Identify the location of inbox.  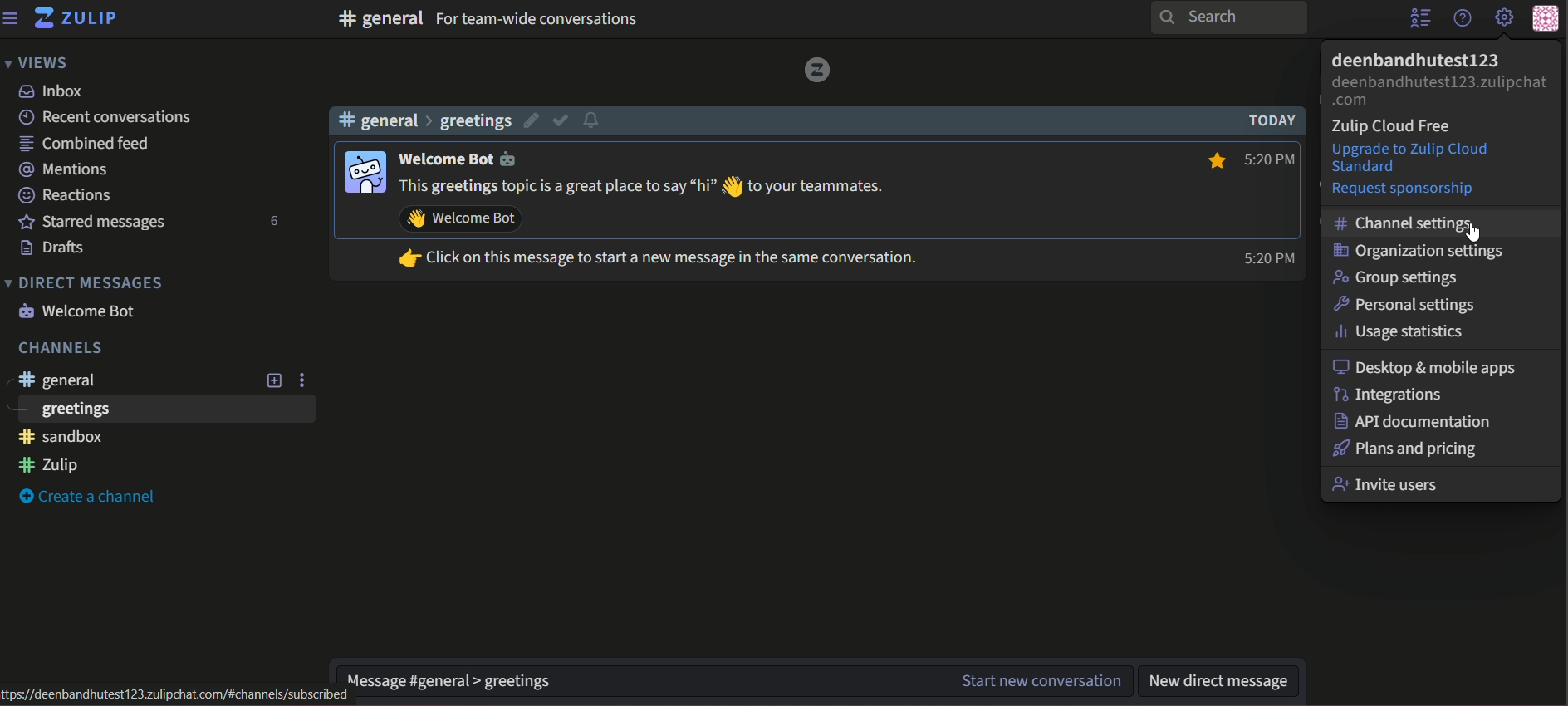
(52, 92).